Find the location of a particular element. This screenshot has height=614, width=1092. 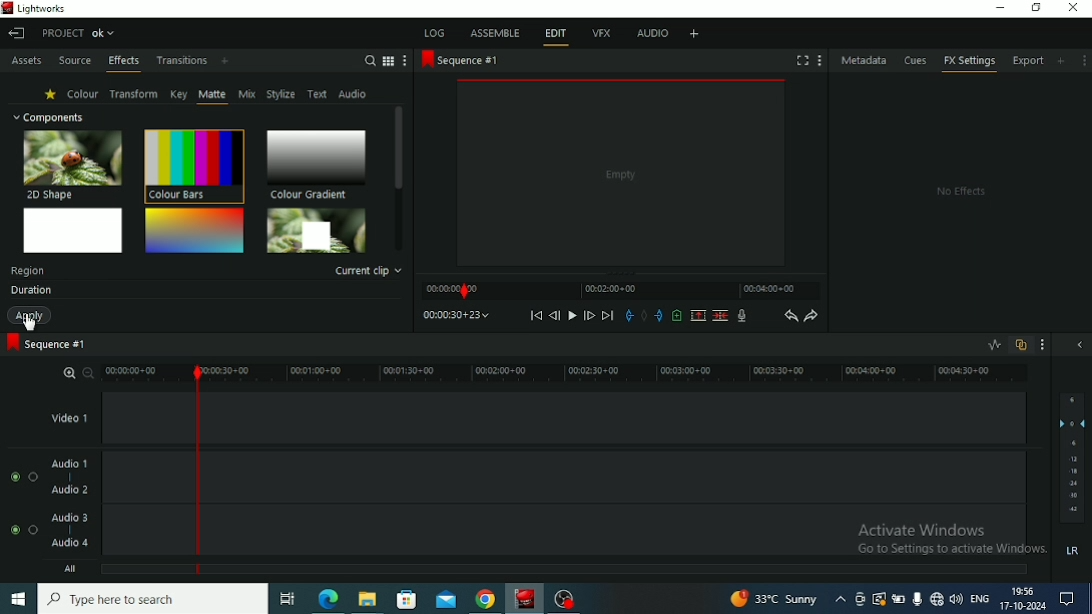

Apply is located at coordinates (32, 316).